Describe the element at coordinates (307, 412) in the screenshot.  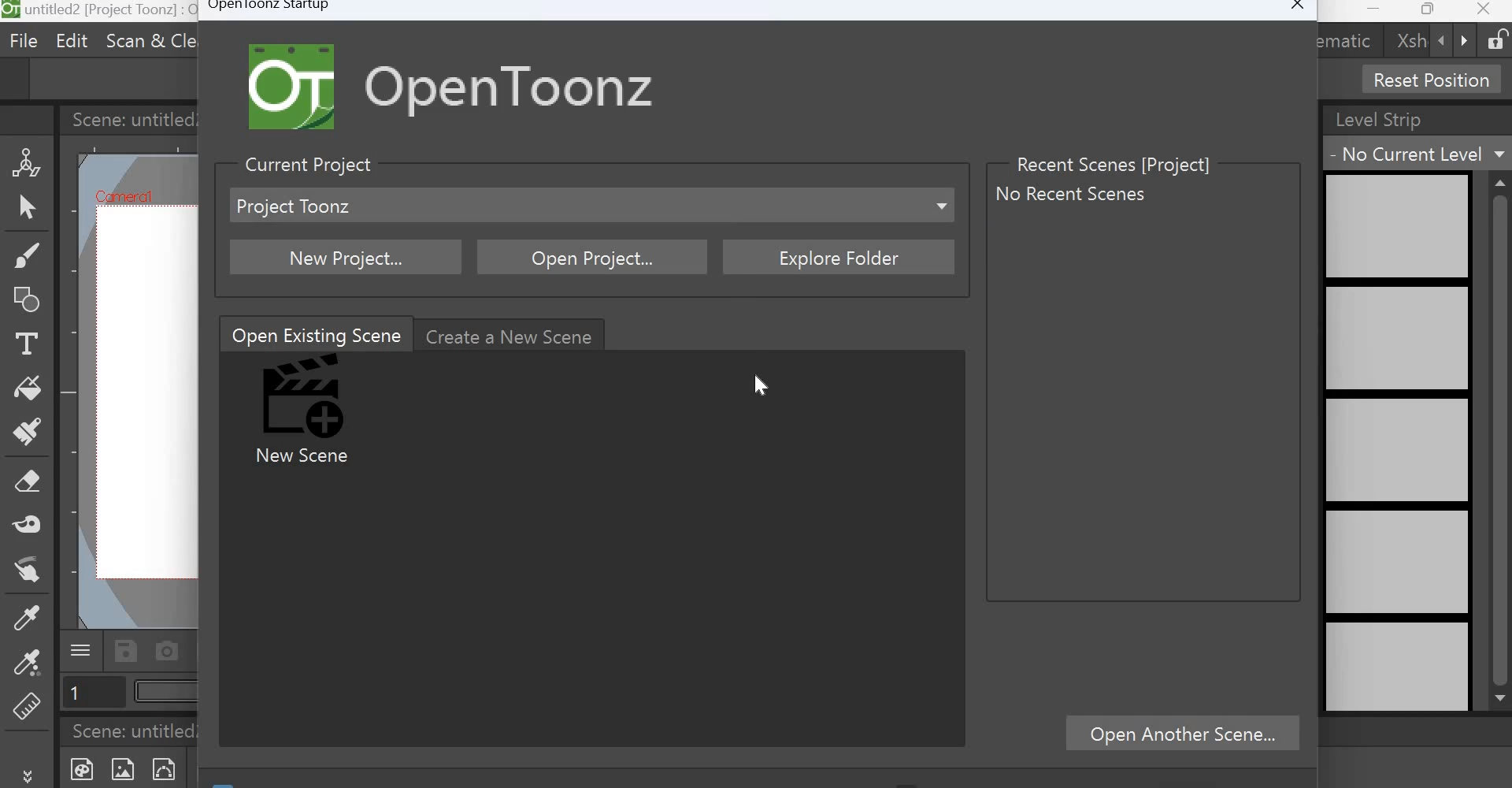
I see `New Scene` at that location.